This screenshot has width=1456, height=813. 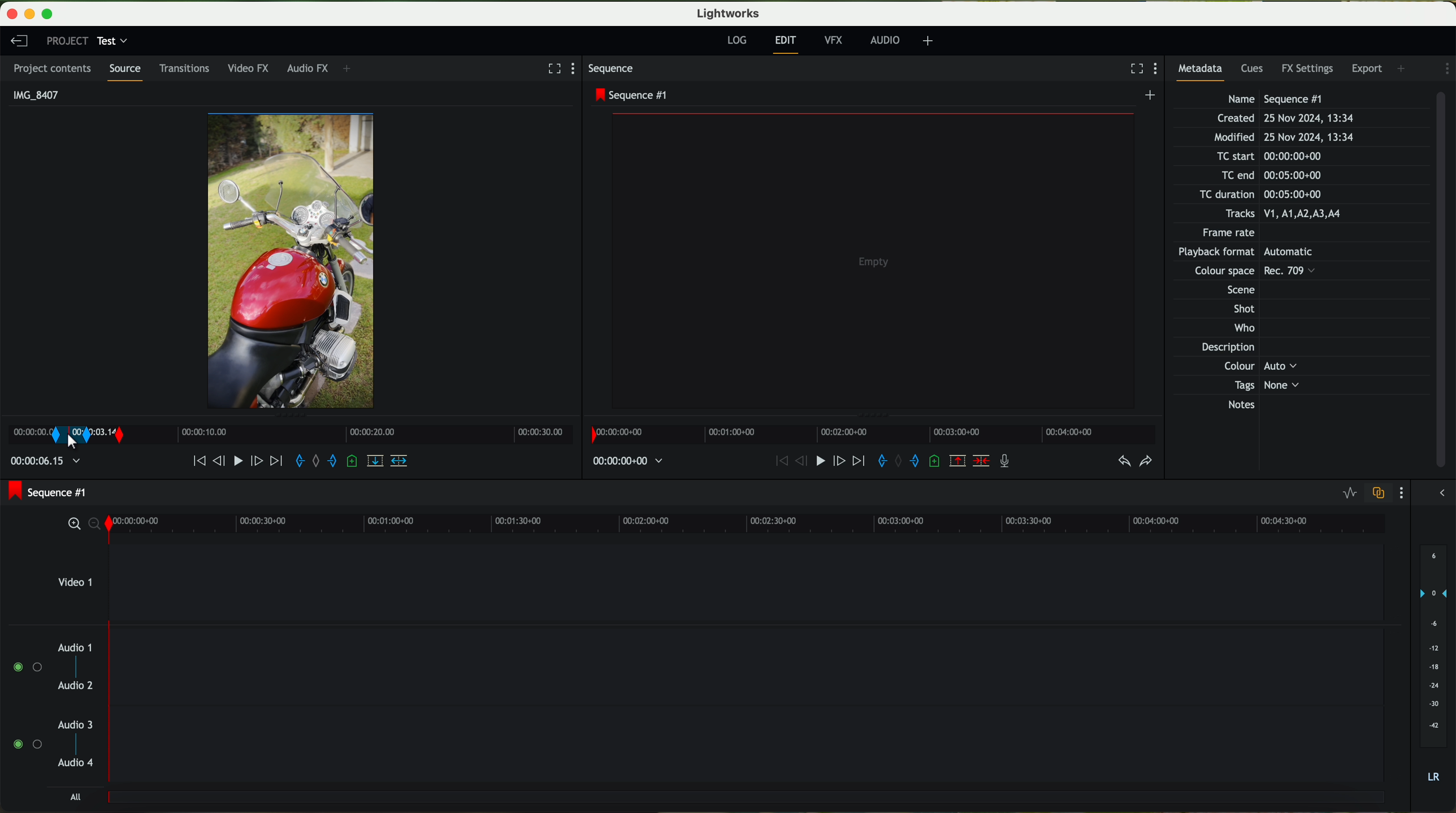 I want to click on add an in mark, so click(x=877, y=461).